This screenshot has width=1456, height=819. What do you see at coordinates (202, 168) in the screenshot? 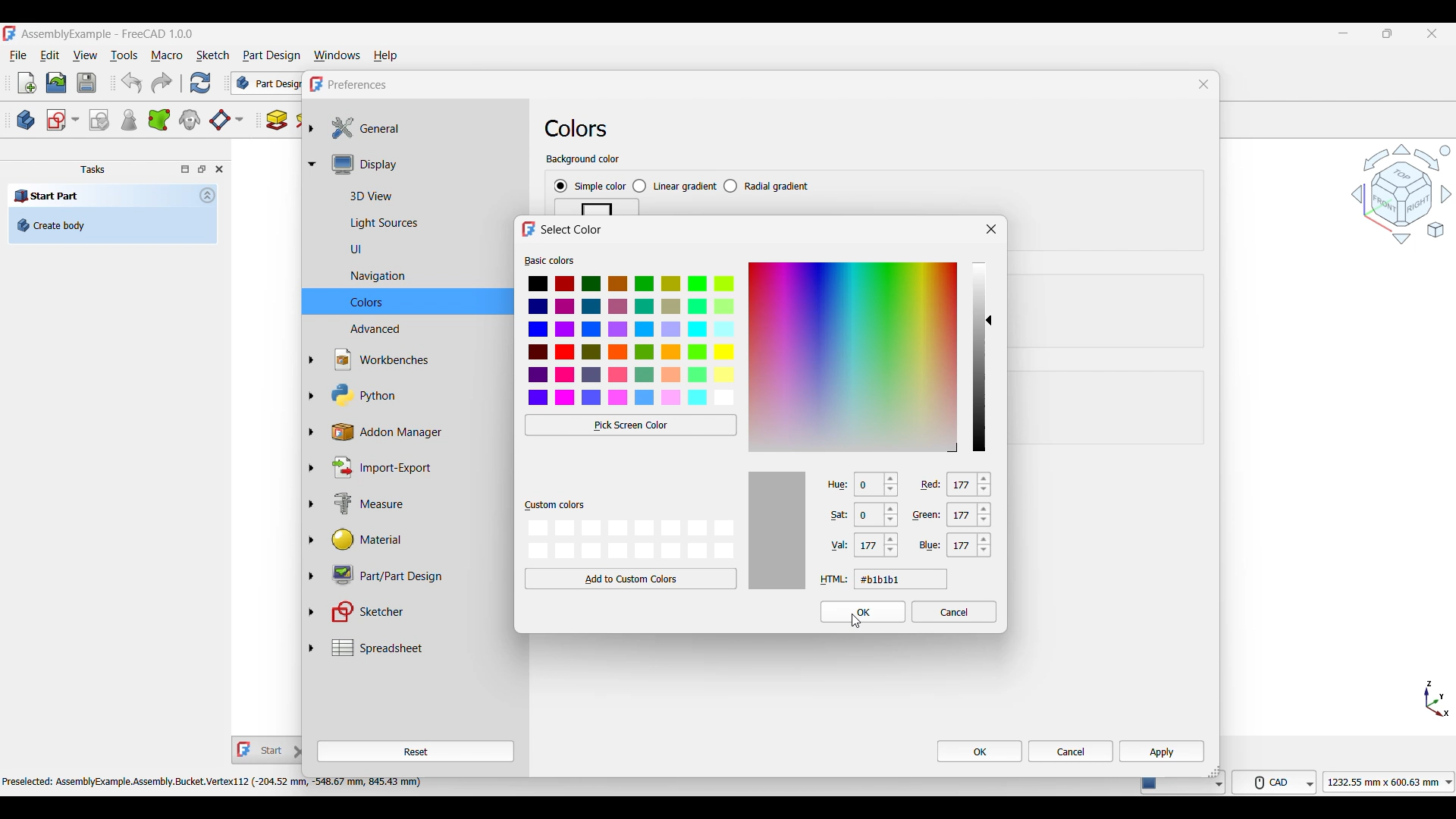
I see `Toggle floating window` at bounding box center [202, 168].